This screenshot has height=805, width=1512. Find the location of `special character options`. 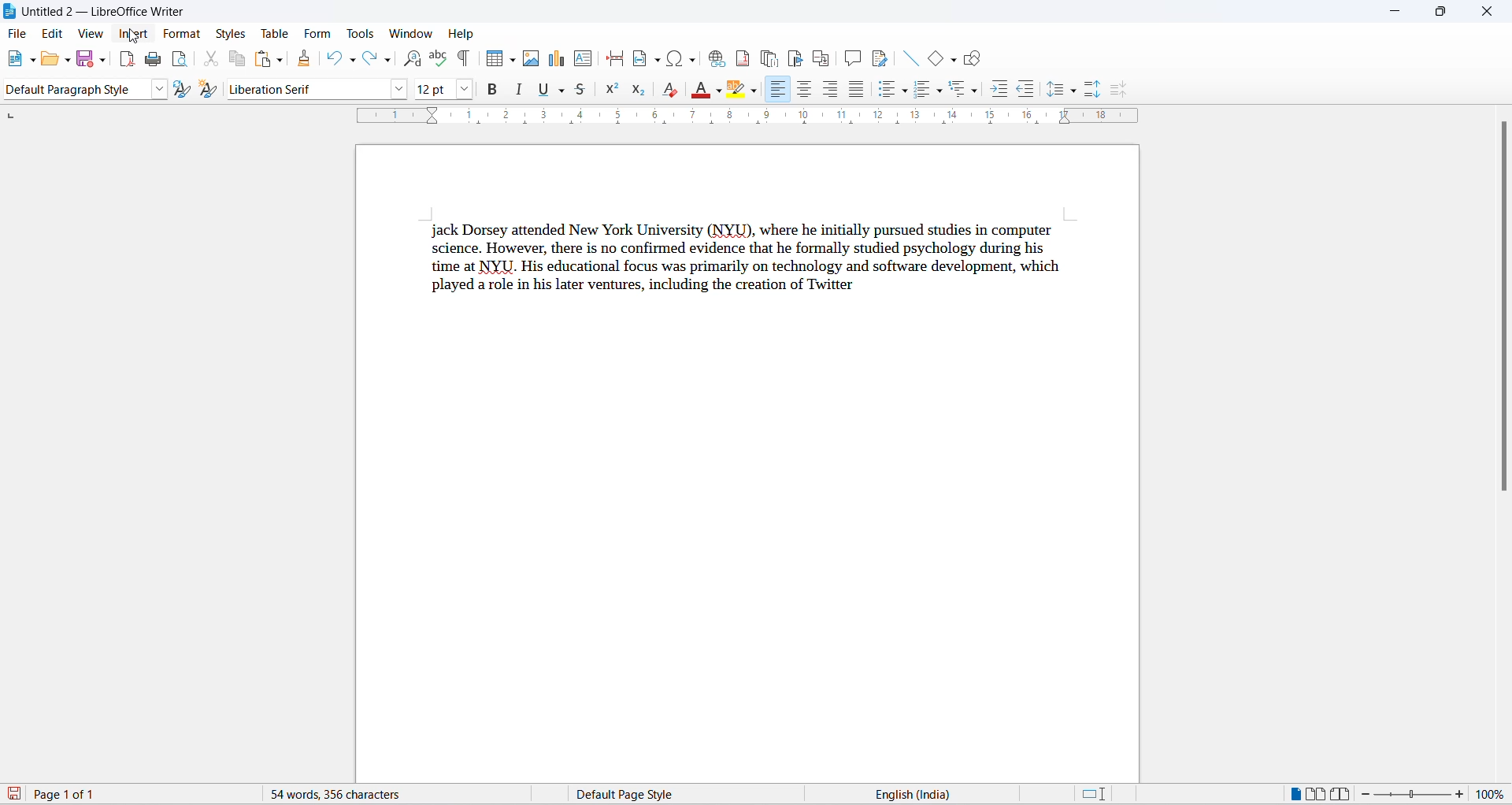

special character options is located at coordinates (692, 58).